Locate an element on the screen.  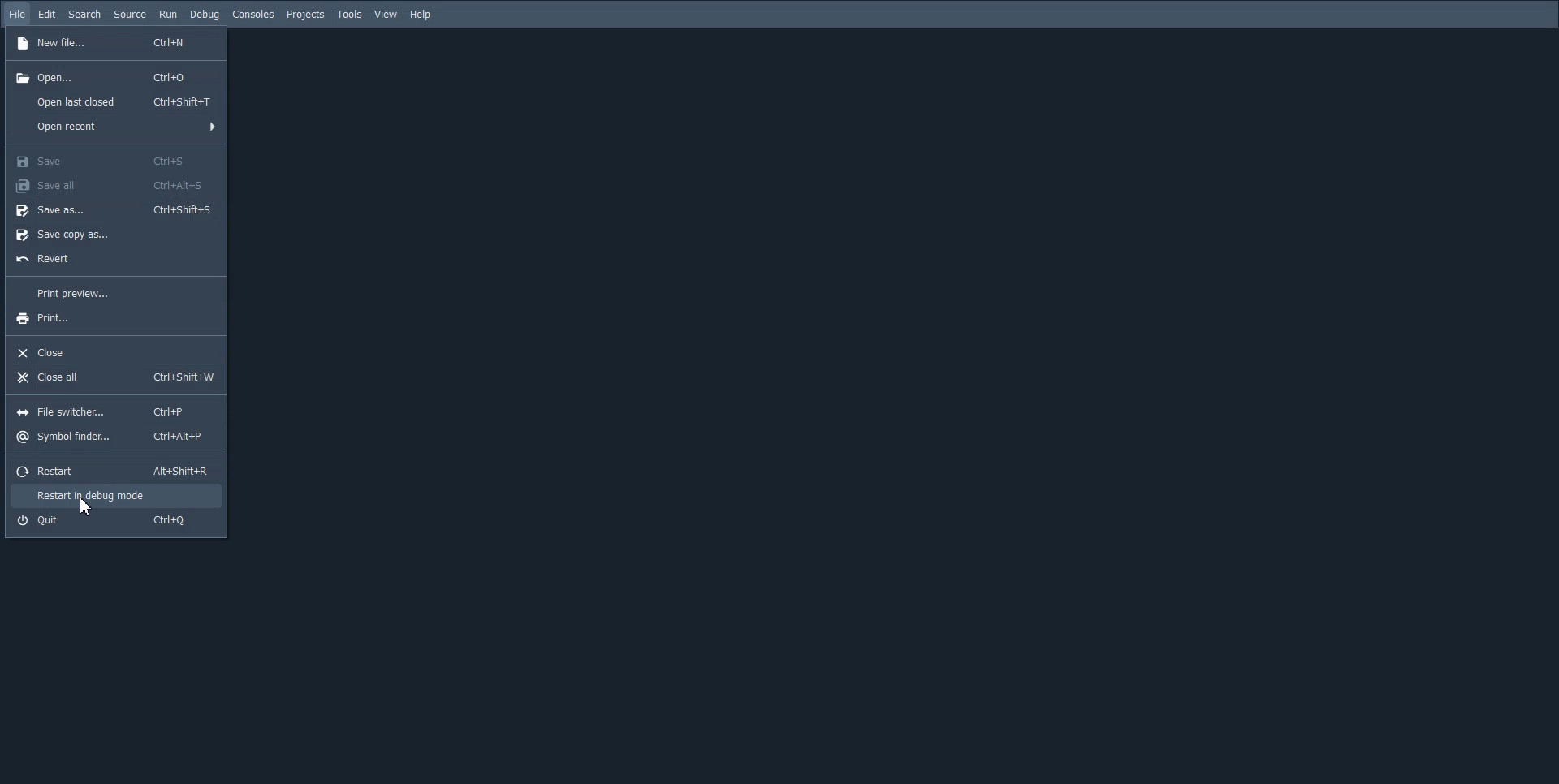
Quit is located at coordinates (115, 523).